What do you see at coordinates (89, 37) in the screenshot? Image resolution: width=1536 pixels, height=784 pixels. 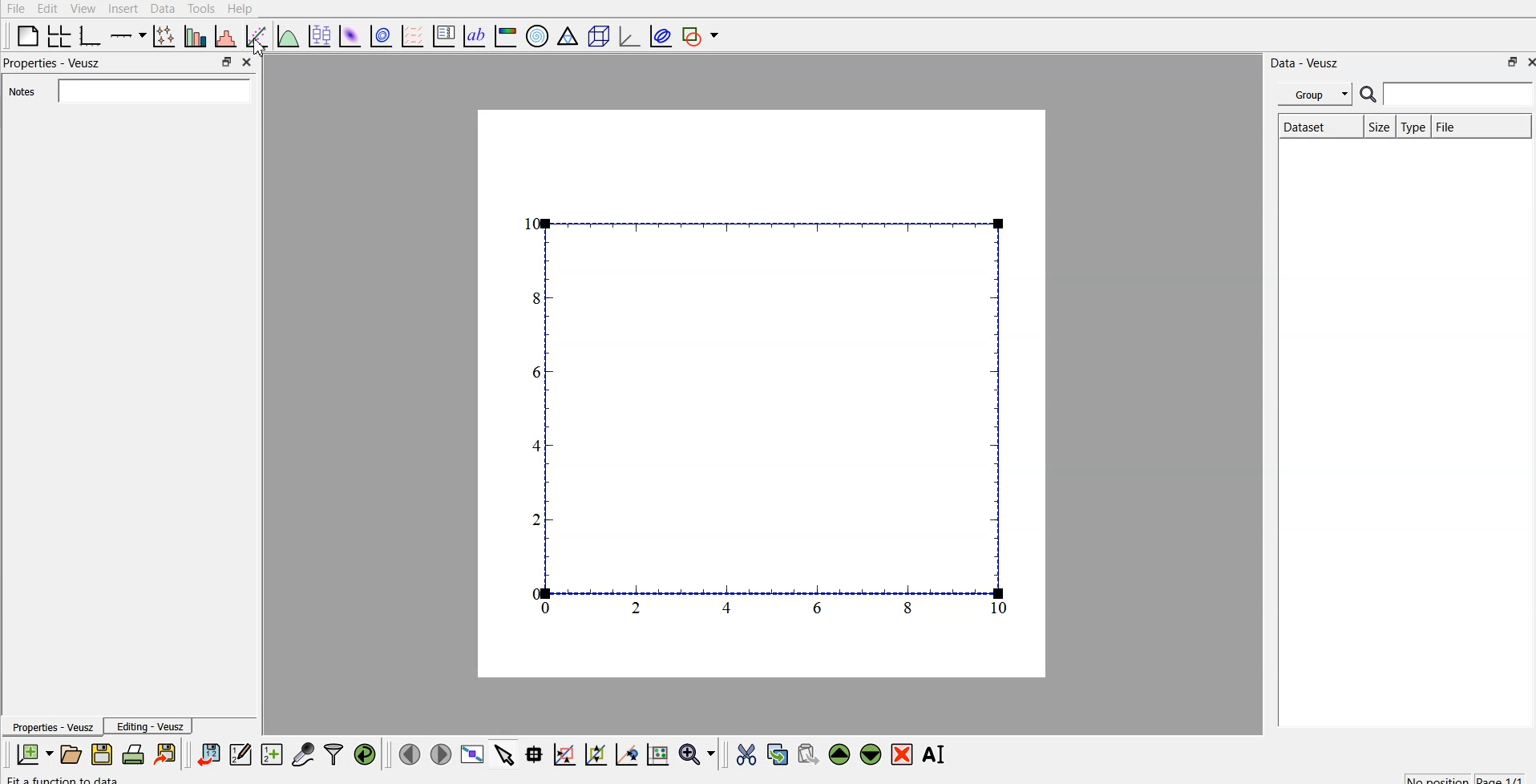 I see `base graph` at bounding box center [89, 37].